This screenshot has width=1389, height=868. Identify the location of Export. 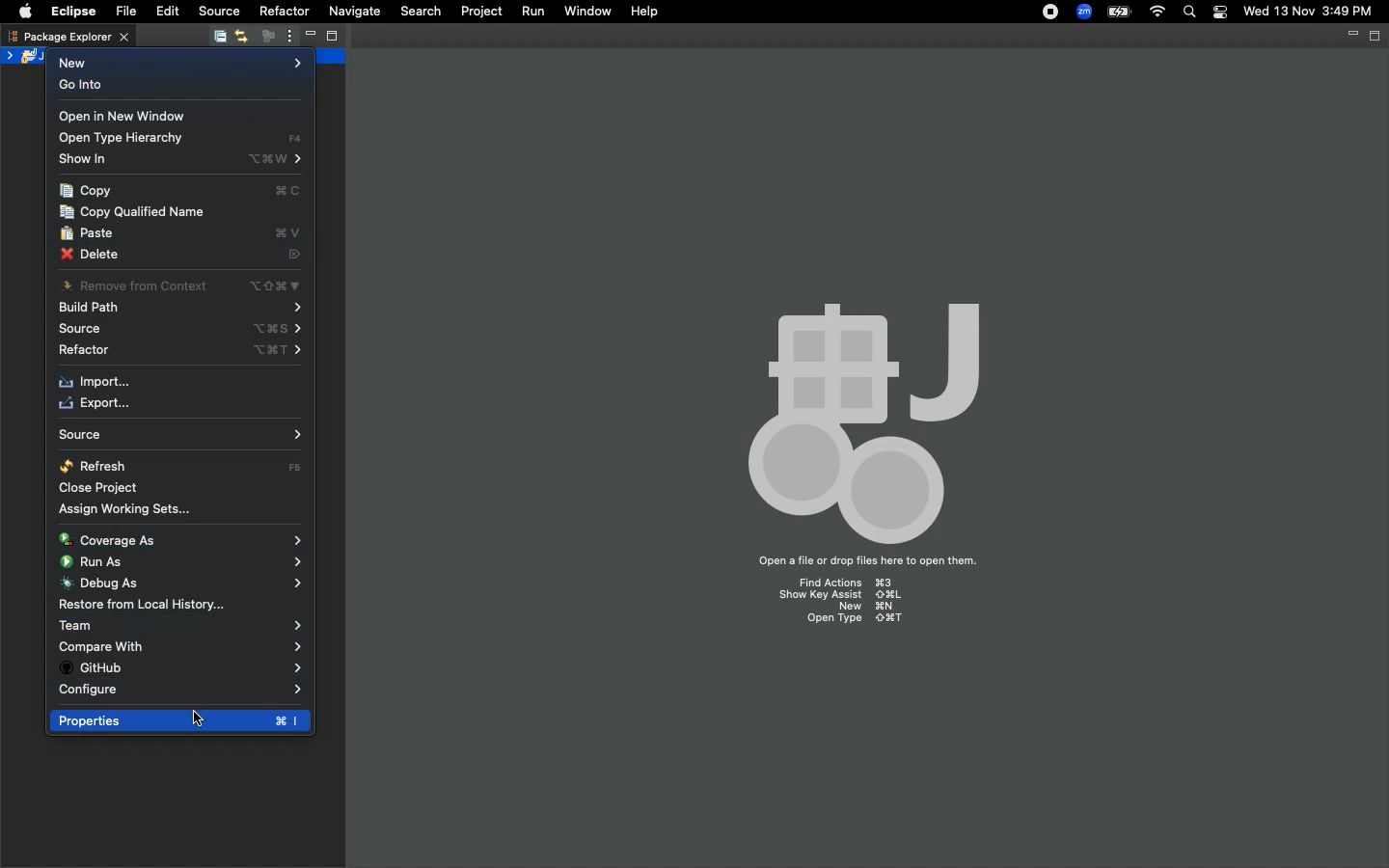
(103, 404).